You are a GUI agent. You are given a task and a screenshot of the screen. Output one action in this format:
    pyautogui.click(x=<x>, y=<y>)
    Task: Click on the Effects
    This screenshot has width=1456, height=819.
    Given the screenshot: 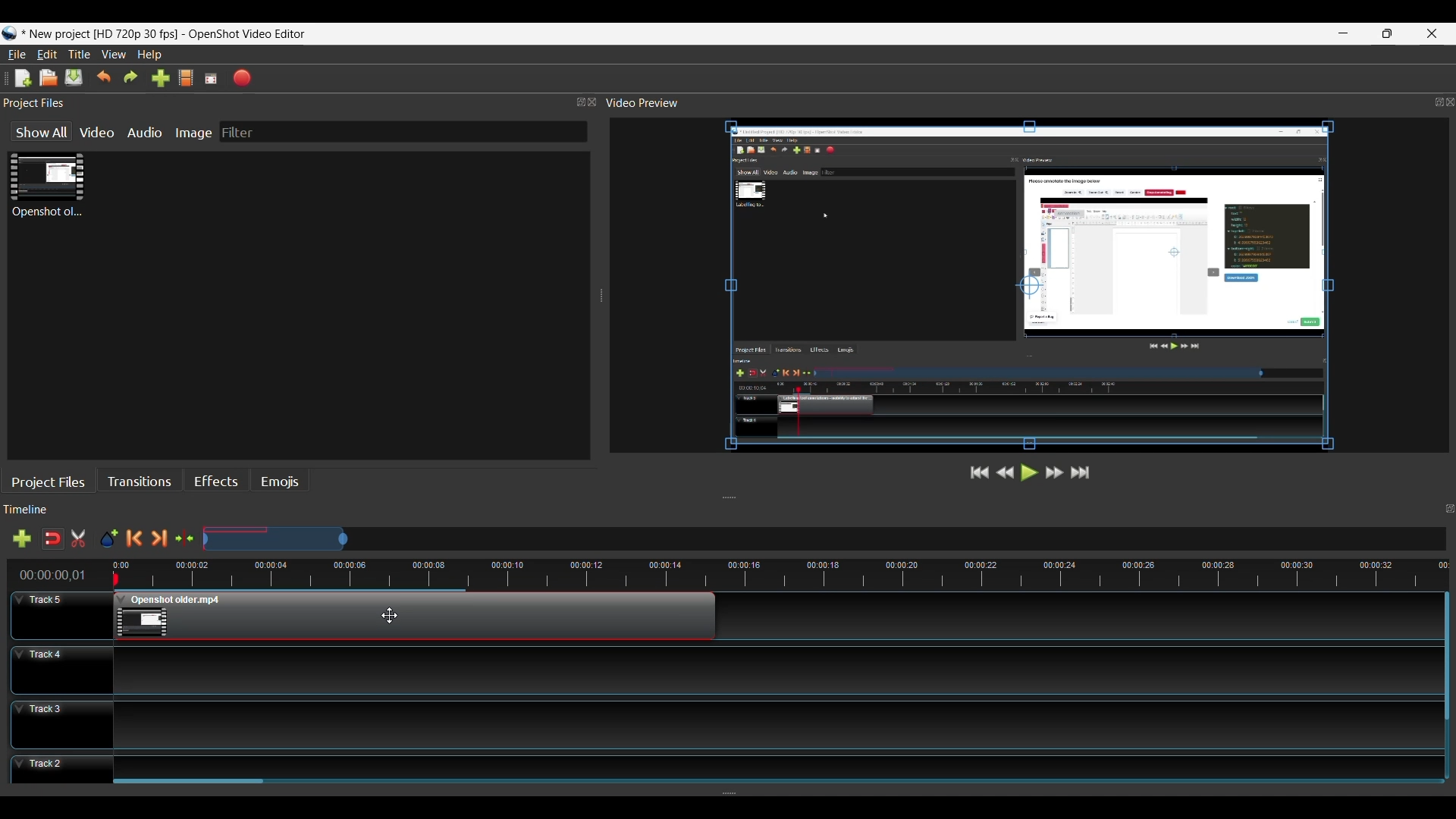 What is the action you would take?
    pyautogui.click(x=216, y=482)
    